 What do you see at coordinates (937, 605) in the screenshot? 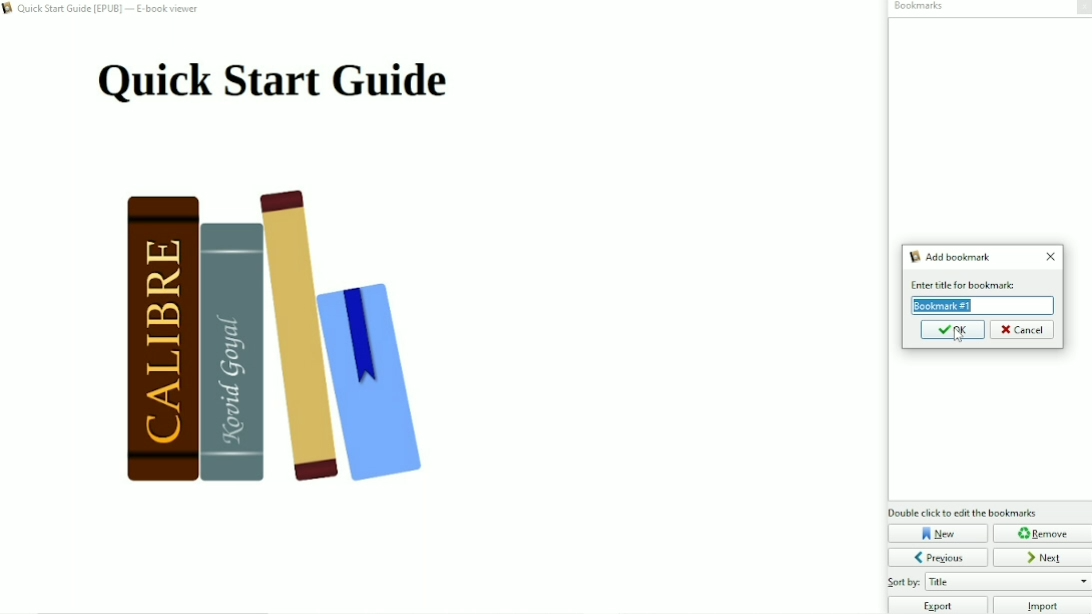
I see `Export` at bounding box center [937, 605].